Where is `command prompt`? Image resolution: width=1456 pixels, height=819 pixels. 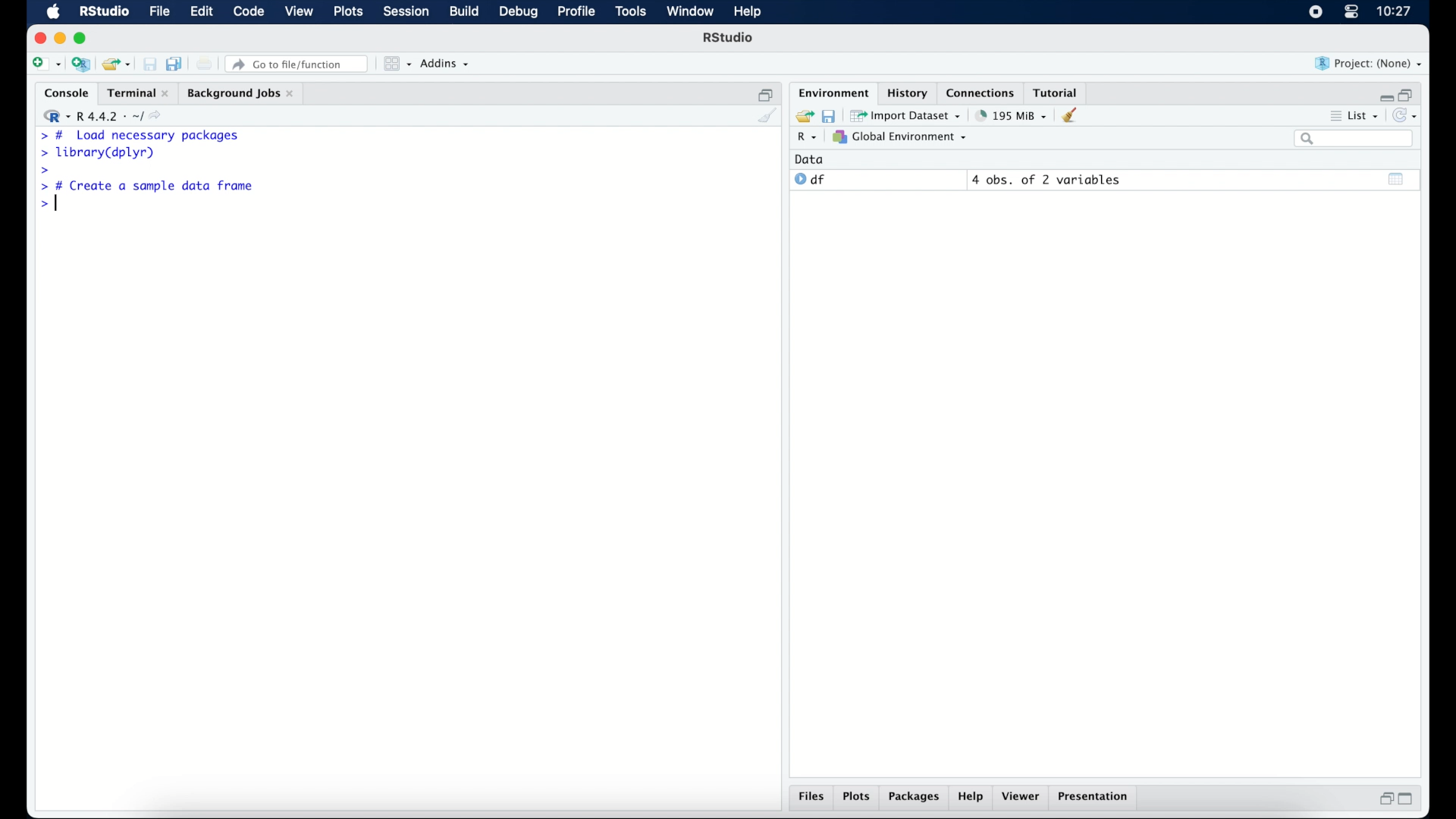
command prompt is located at coordinates (45, 206).